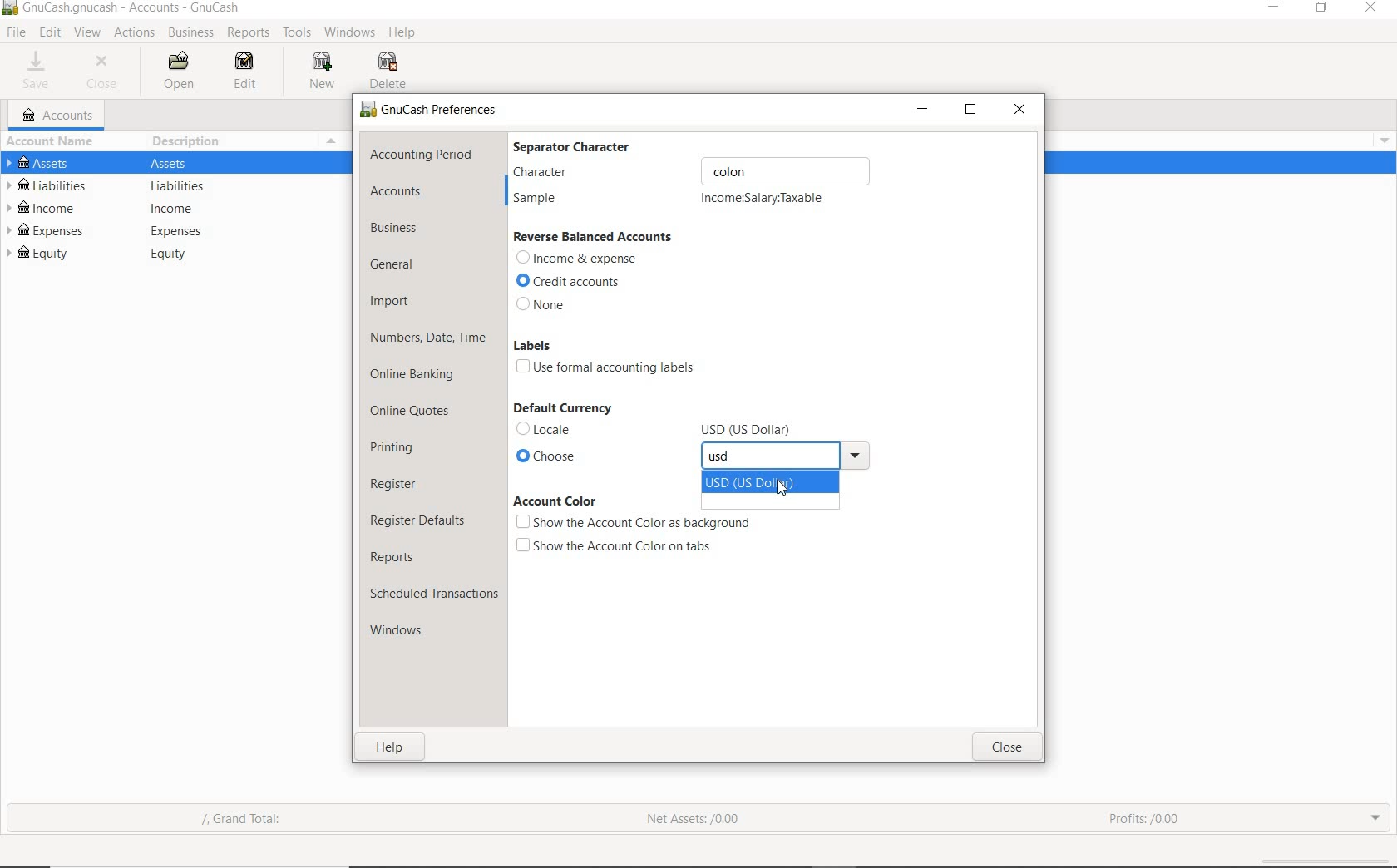  What do you see at coordinates (1381, 143) in the screenshot?
I see `` at bounding box center [1381, 143].